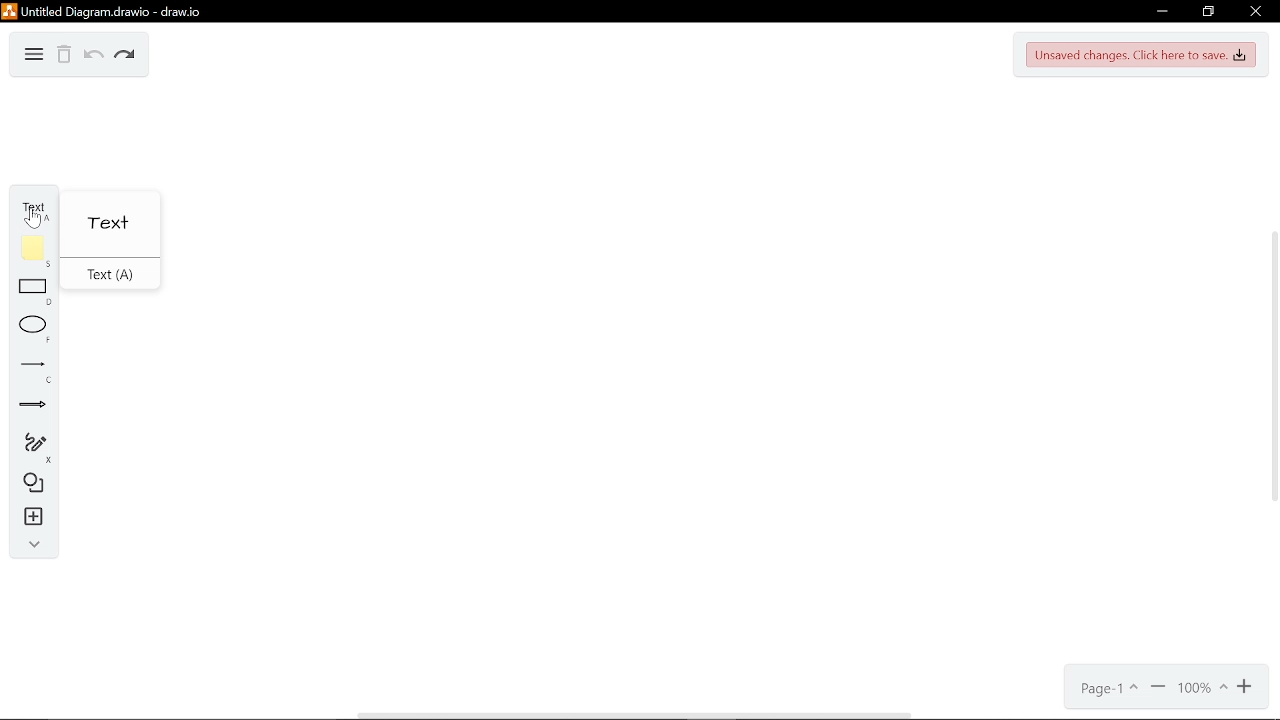  Describe the element at coordinates (103, 11) in the screenshot. I see `Current window` at that location.